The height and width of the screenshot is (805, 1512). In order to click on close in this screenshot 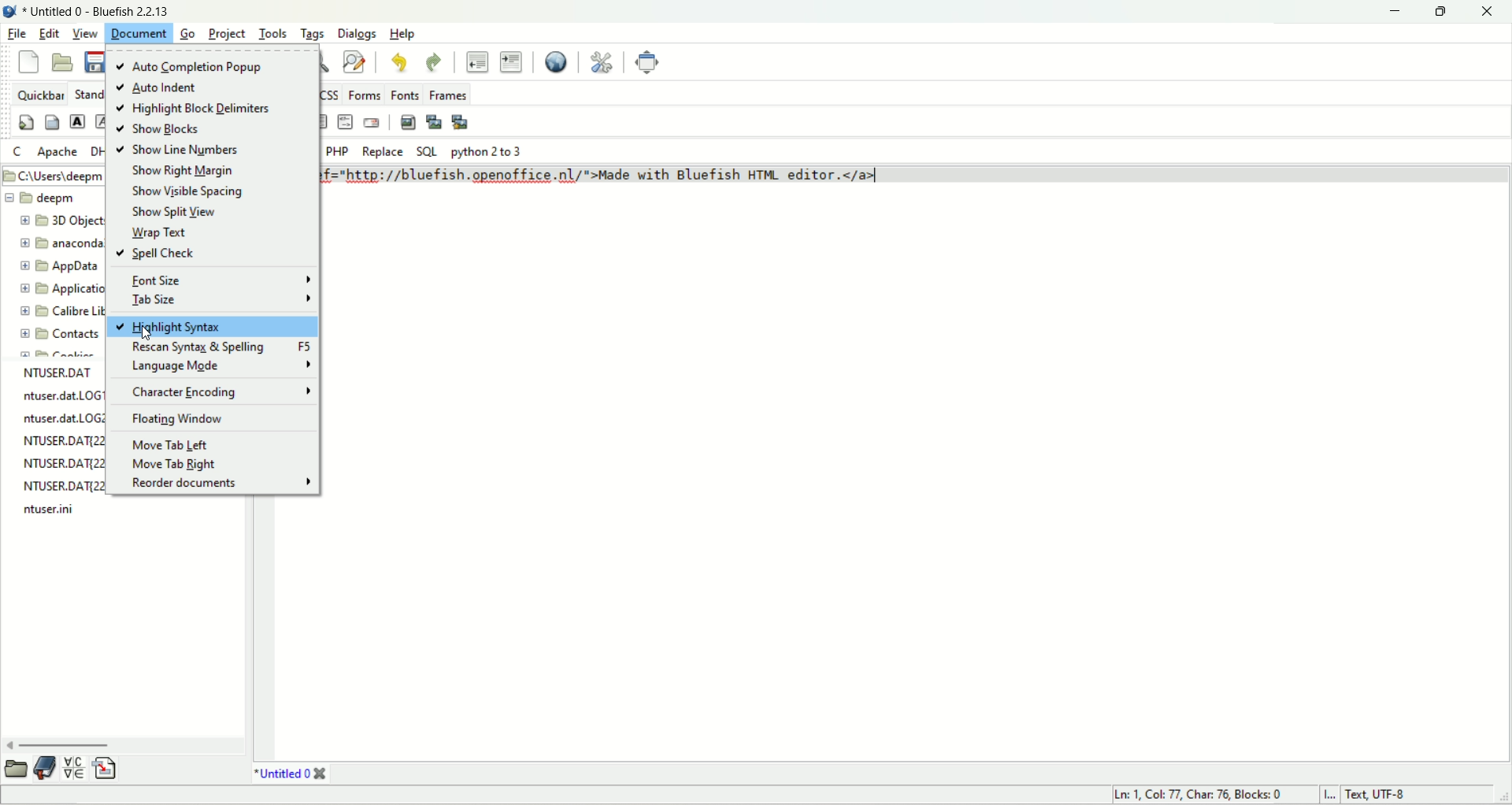, I will do `click(1488, 12)`.